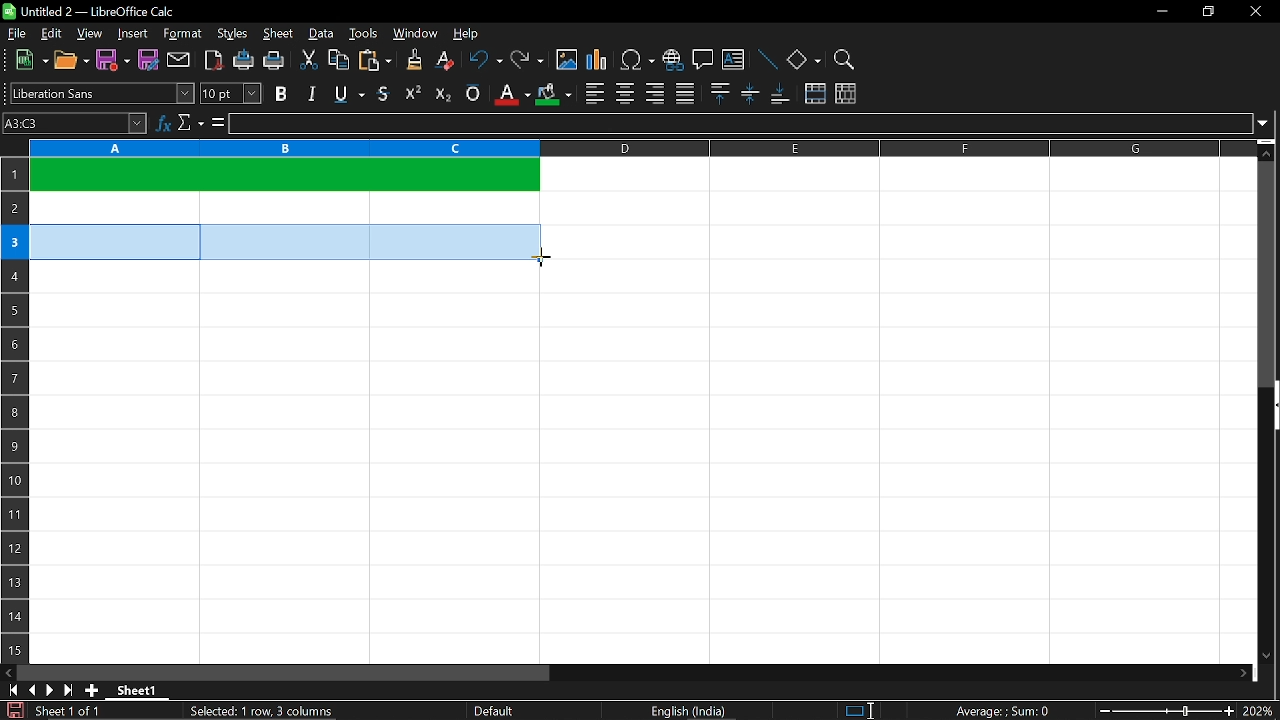 This screenshot has width=1280, height=720. I want to click on strikethrough, so click(384, 92).